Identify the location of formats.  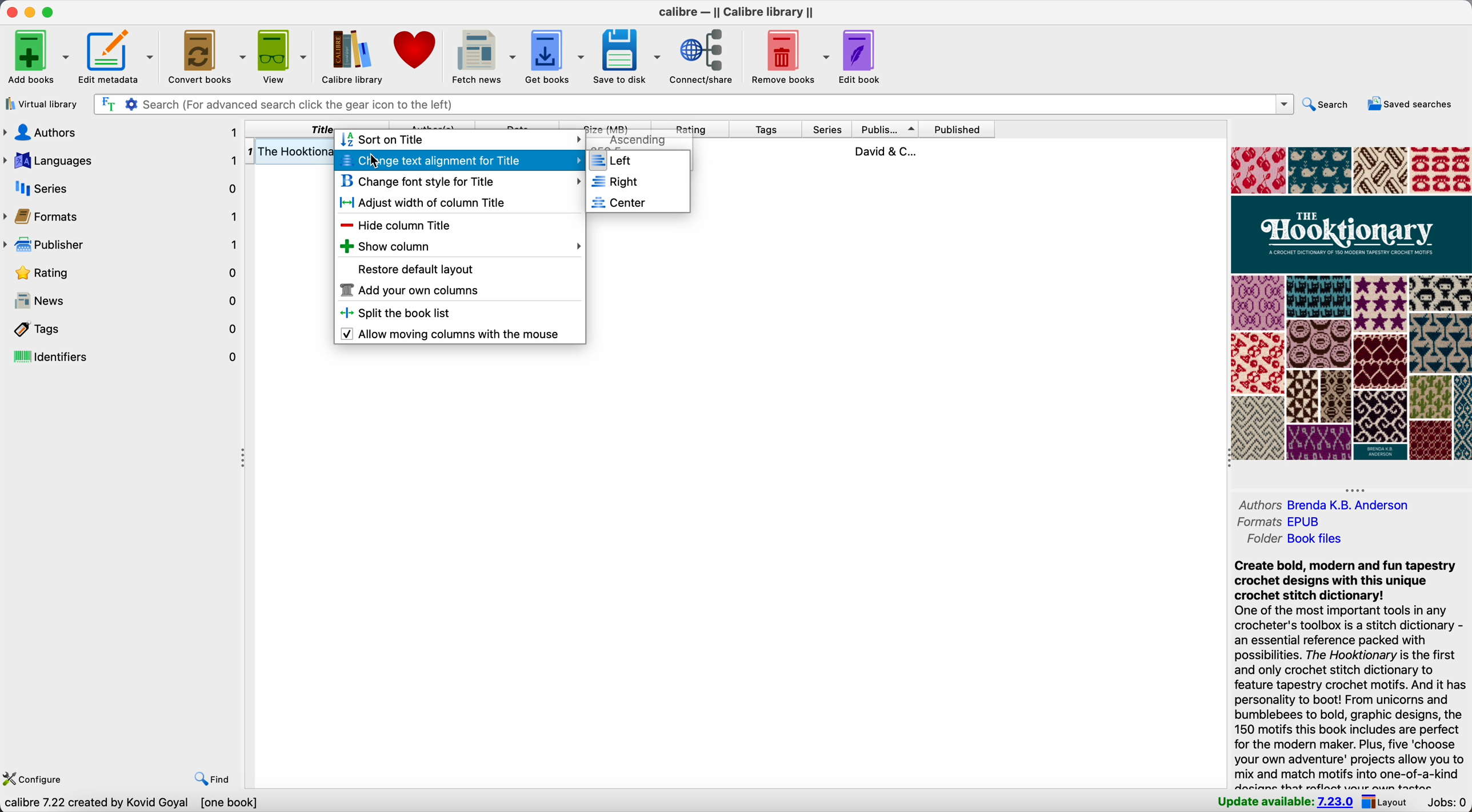
(123, 219).